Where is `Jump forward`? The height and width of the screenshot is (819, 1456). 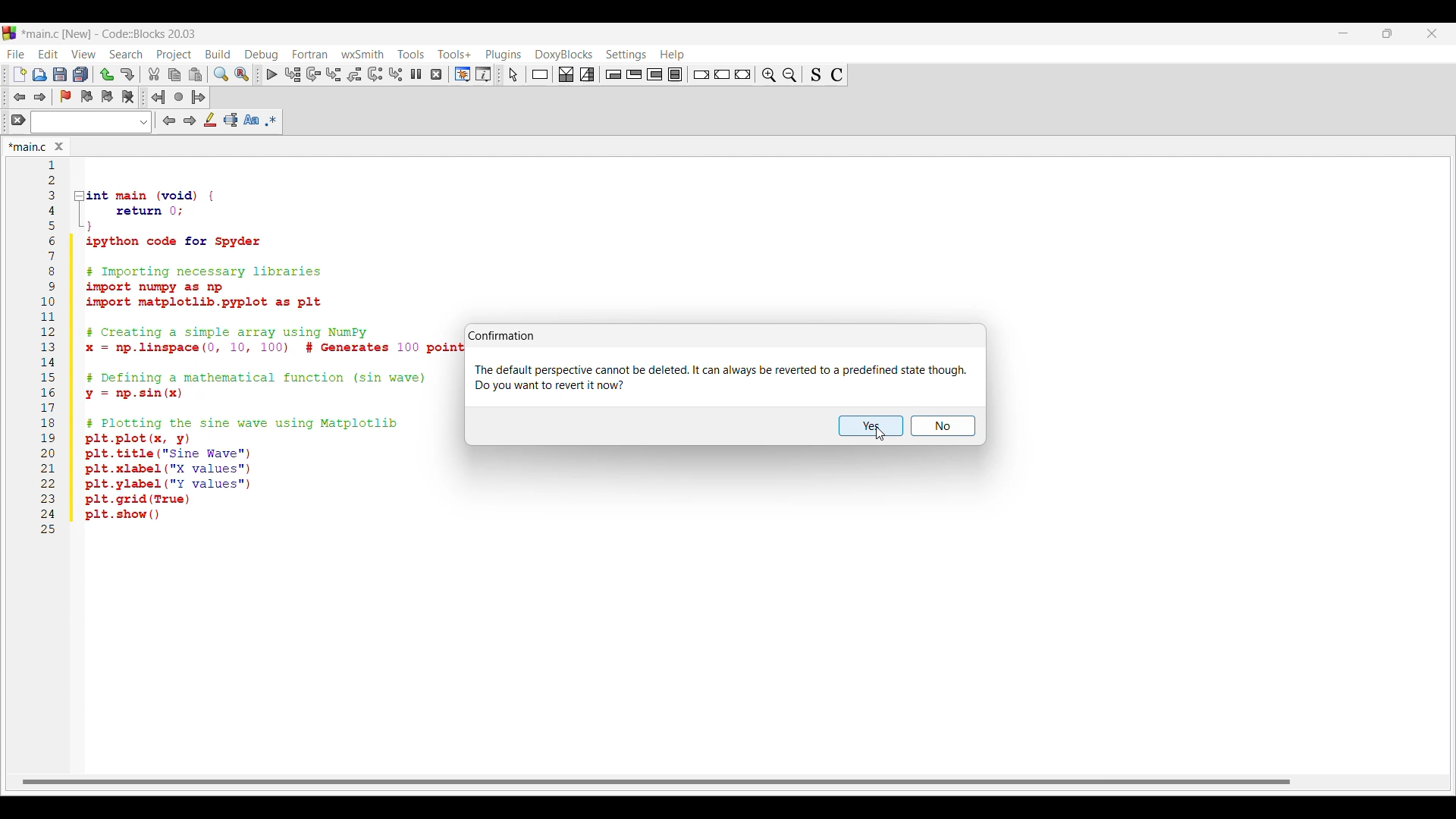
Jump forward is located at coordinates (40, 97).